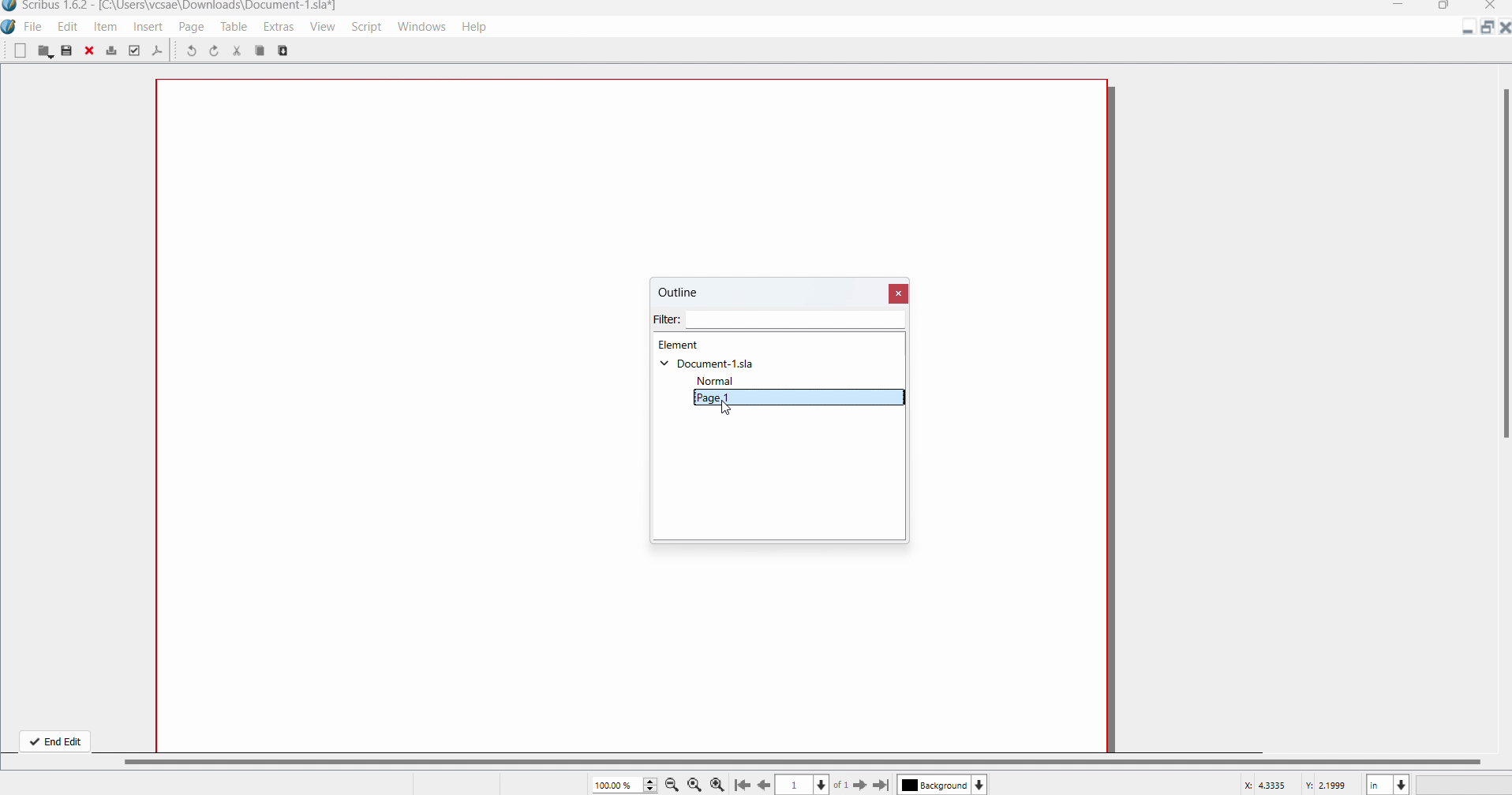 The height and width of the screenshot is (795, 1512). What do you see at coordinates (169, 9) in the screenshot?
I see `Scribus` at bounding box center [169, 9].